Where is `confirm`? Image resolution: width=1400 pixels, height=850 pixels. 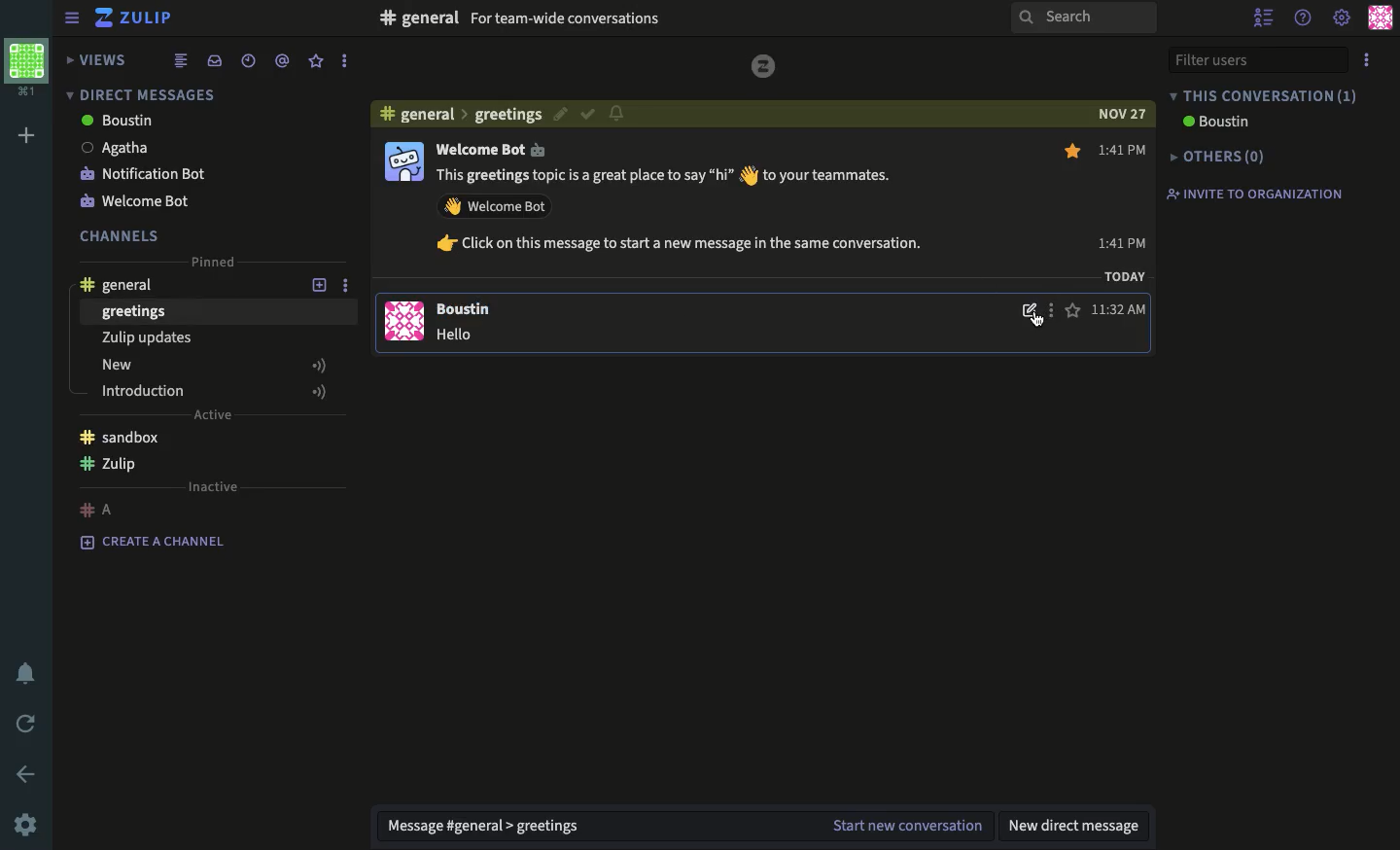
confirm is located at coordinates (587, 116).